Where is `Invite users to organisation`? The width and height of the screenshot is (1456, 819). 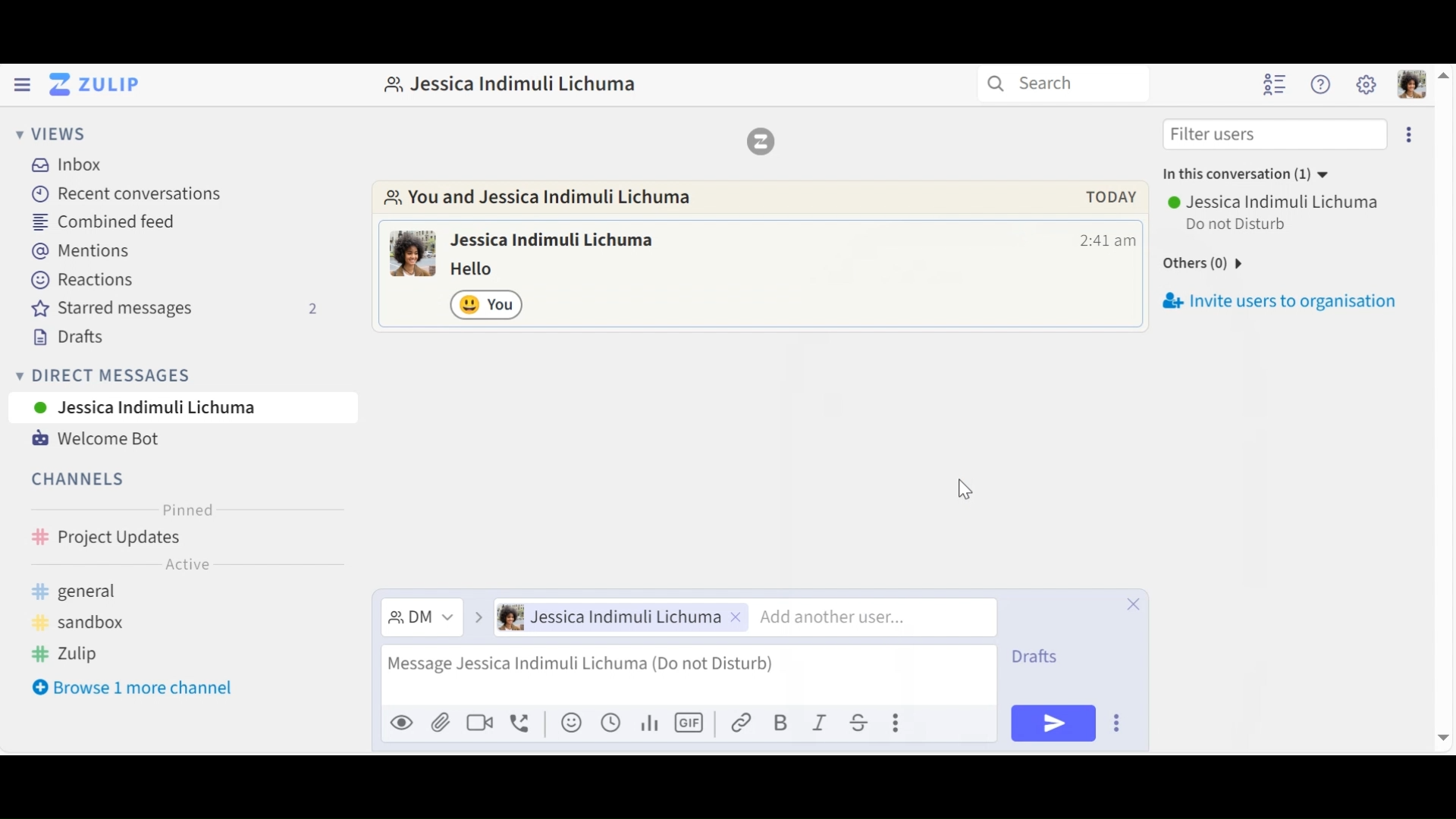 Invite users to organisation is located at coordinates (1412, 132).